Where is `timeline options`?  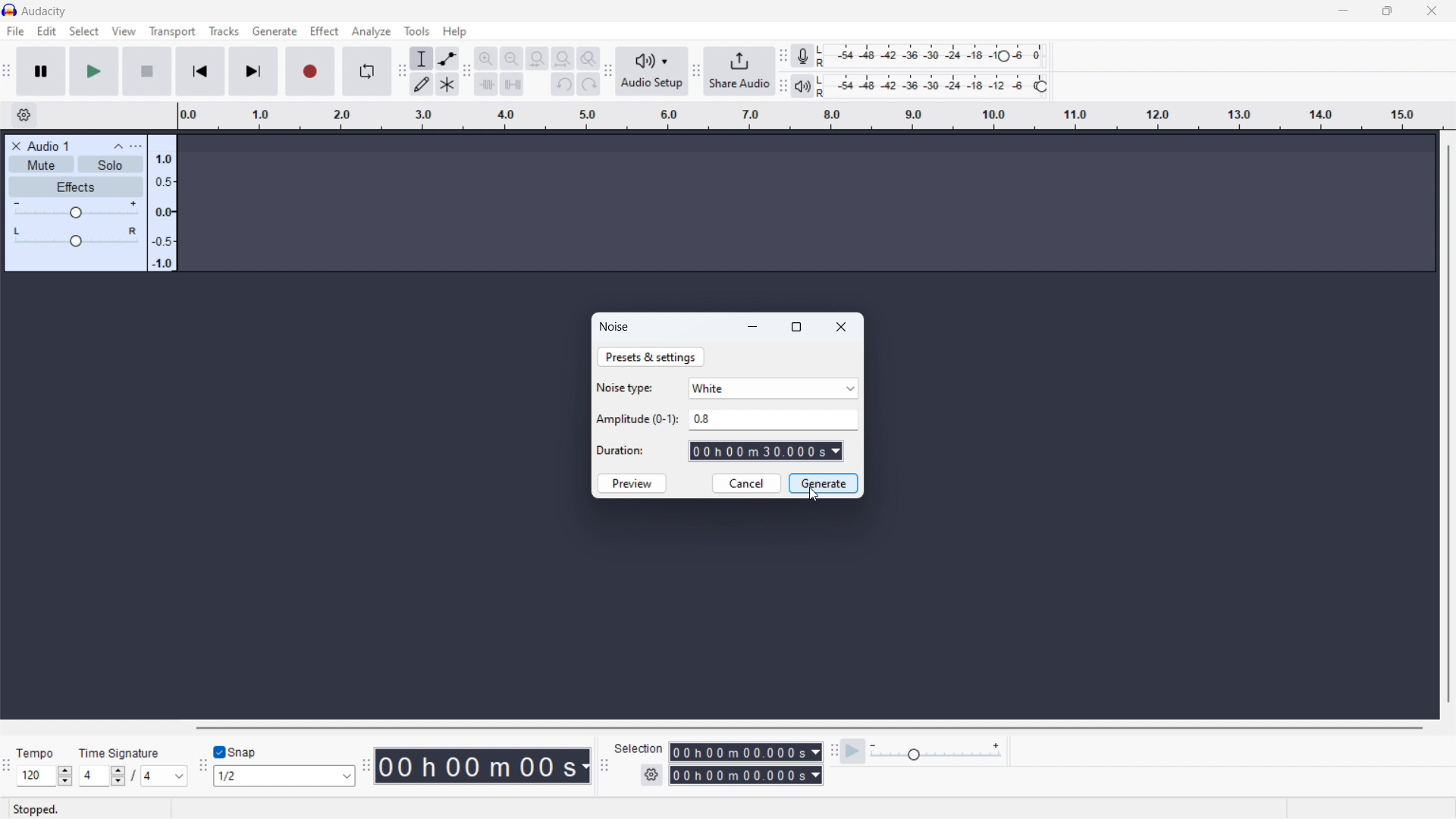 timeline options is located at coordinates (25, 116).